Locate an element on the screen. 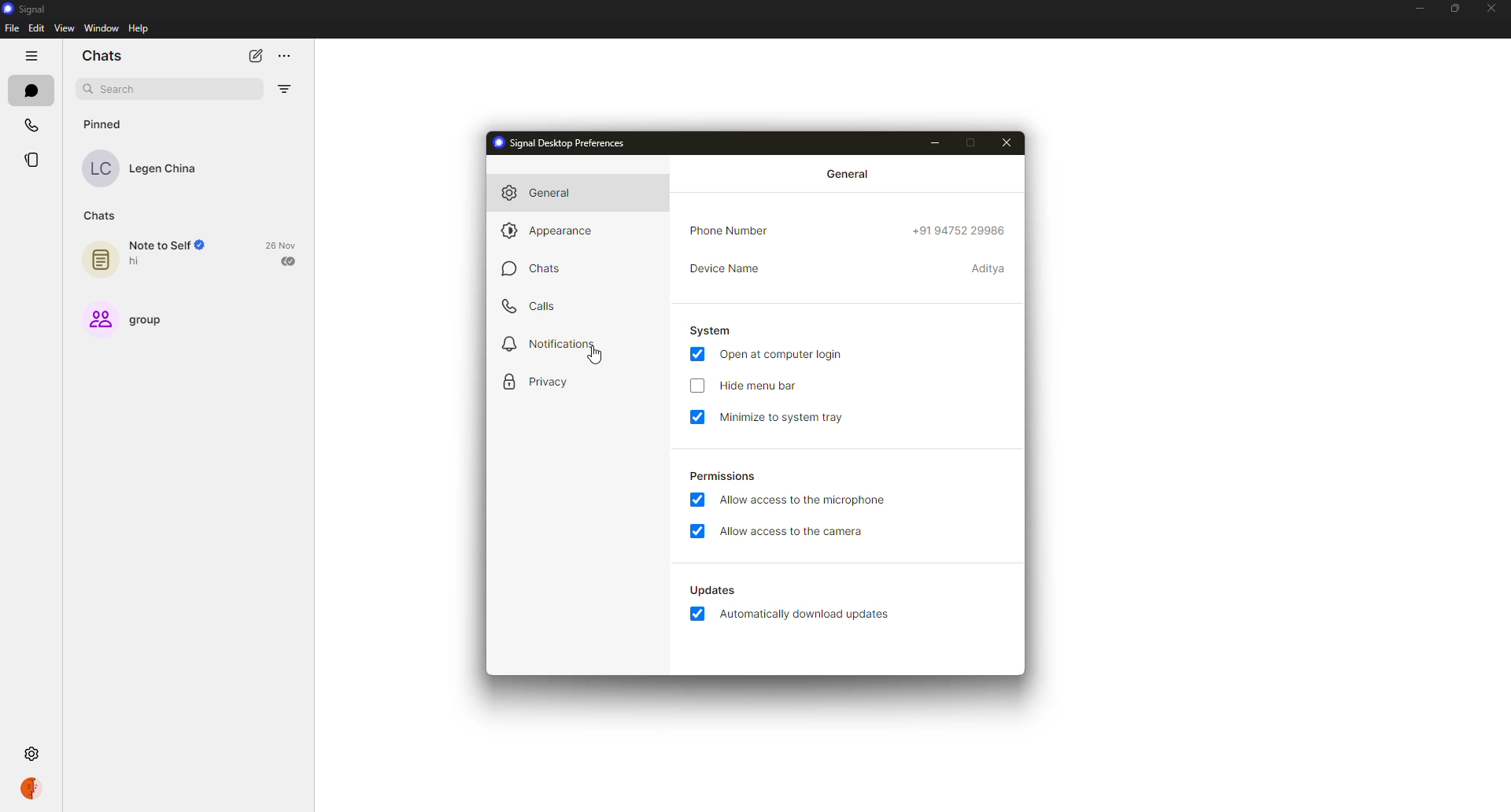 The image size is (1511, 812). new chat is located at coordinates (255, 55).